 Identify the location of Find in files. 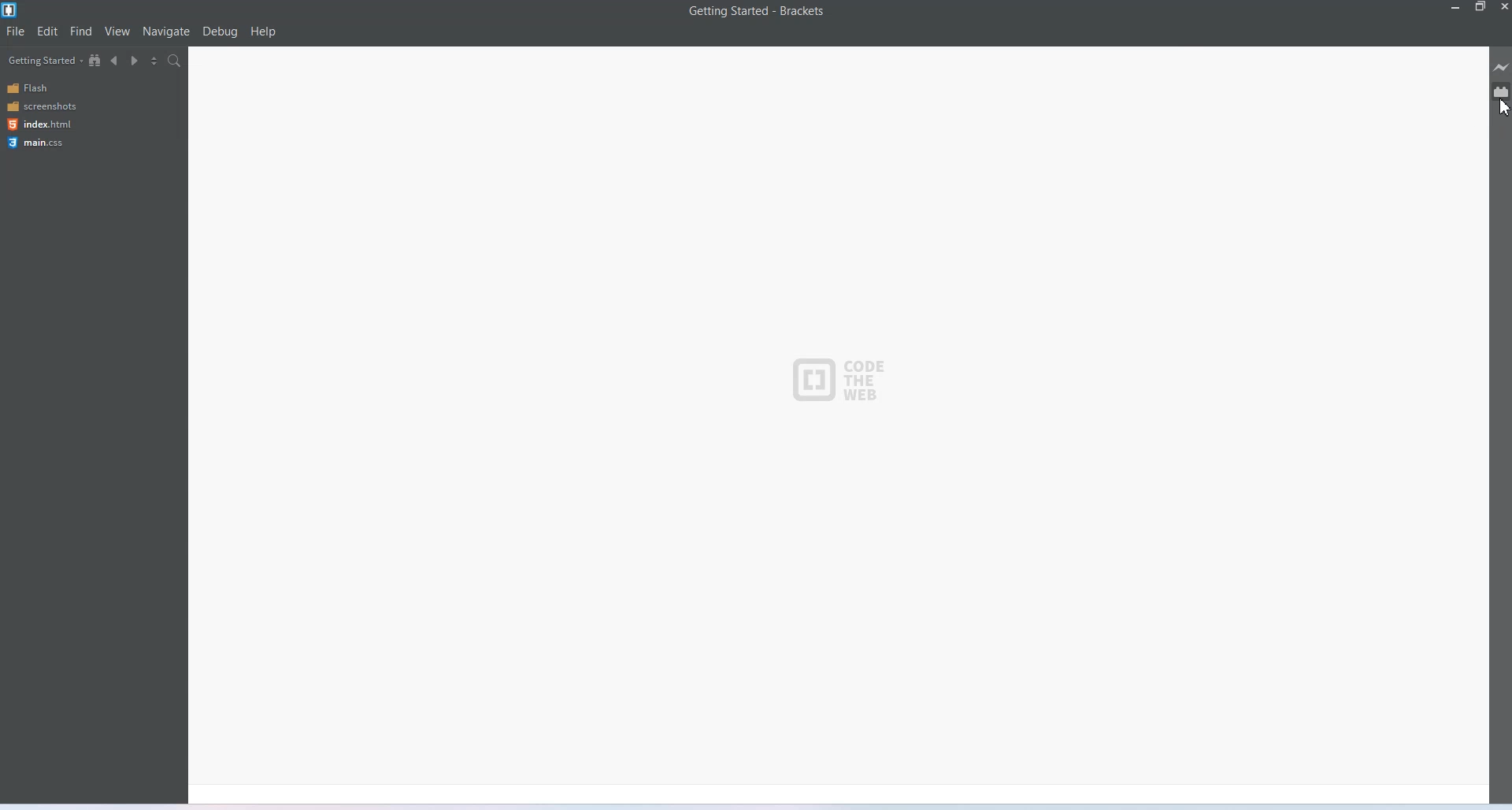
(175, 61).